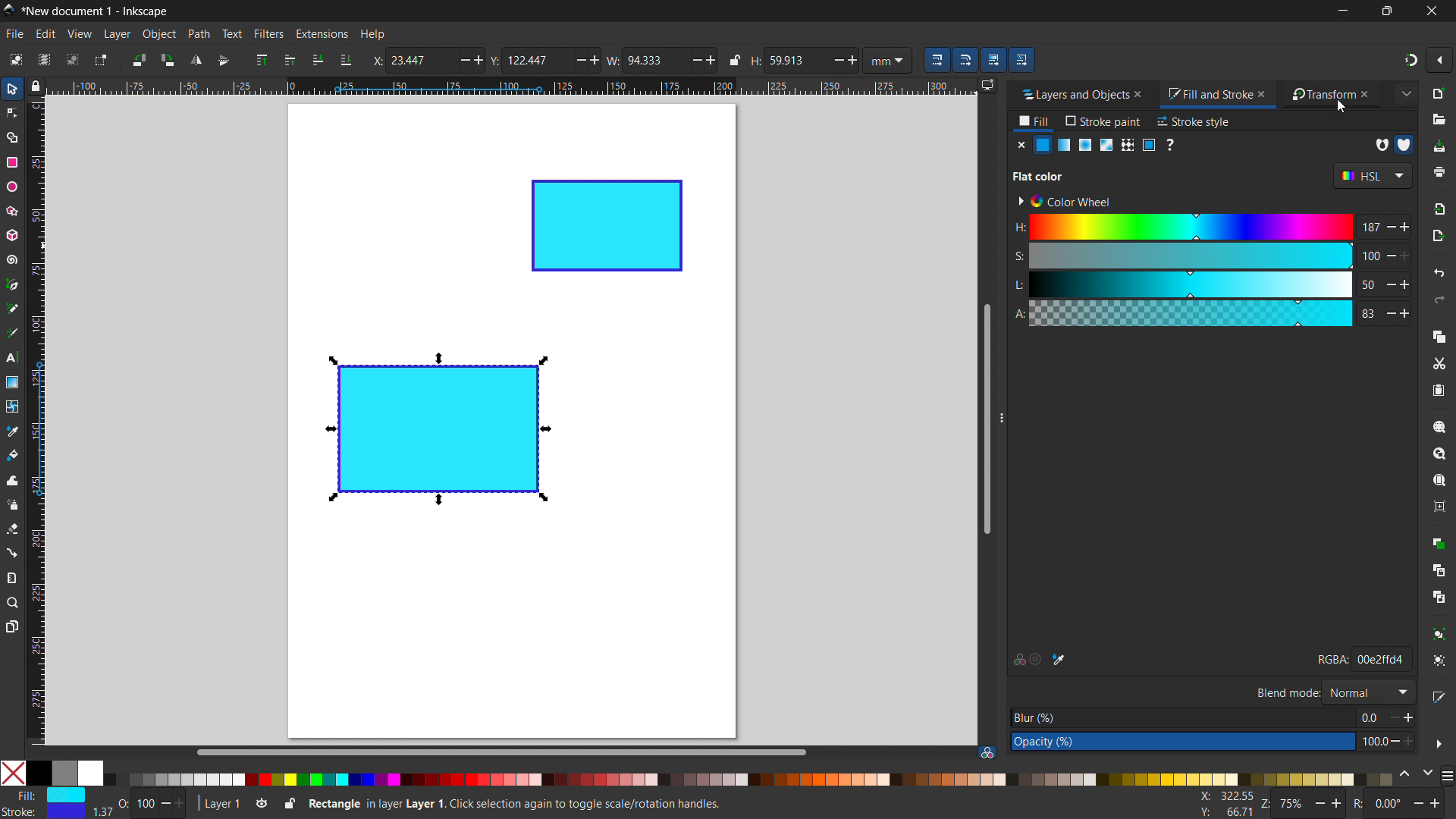 The image size is (1456, 819). I want to click on Solid Black, so click(39, 774).